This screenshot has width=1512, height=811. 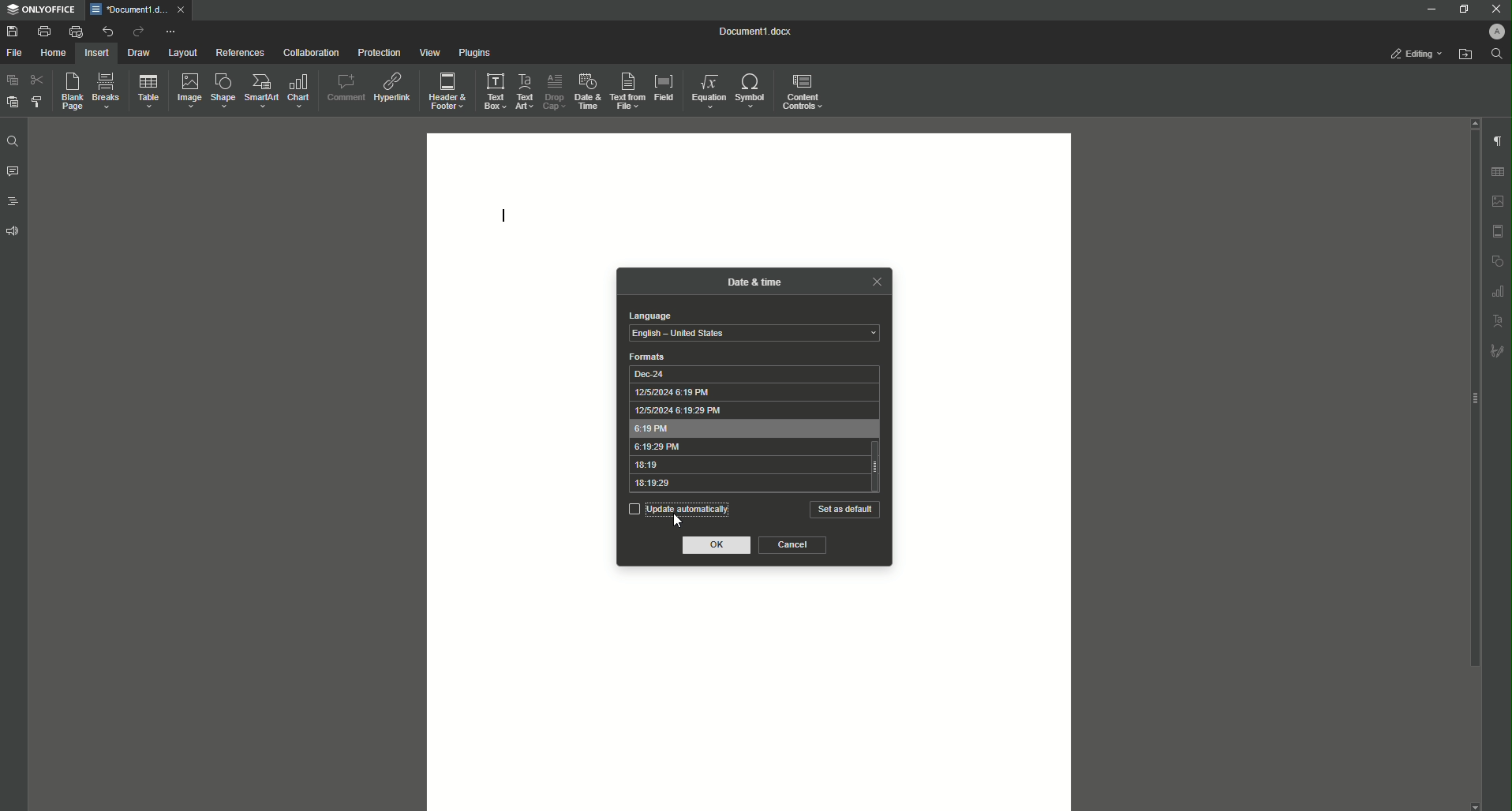 What do you see at coordinates (259, 92) in the screenshot?
I see `SmartArt` at bounding box center [259, 92].